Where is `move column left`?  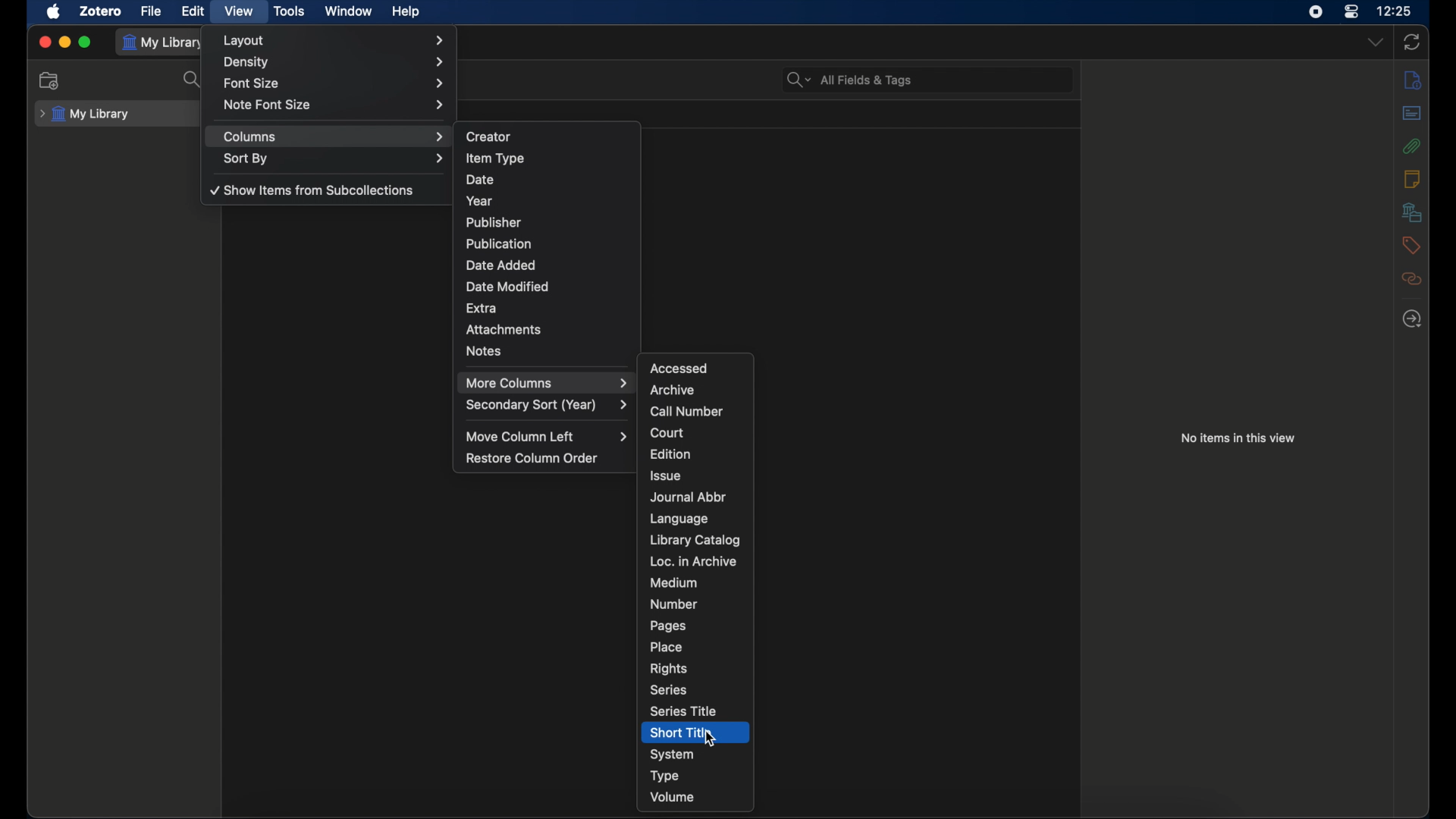
move column left is located at coordinates (547, 436).